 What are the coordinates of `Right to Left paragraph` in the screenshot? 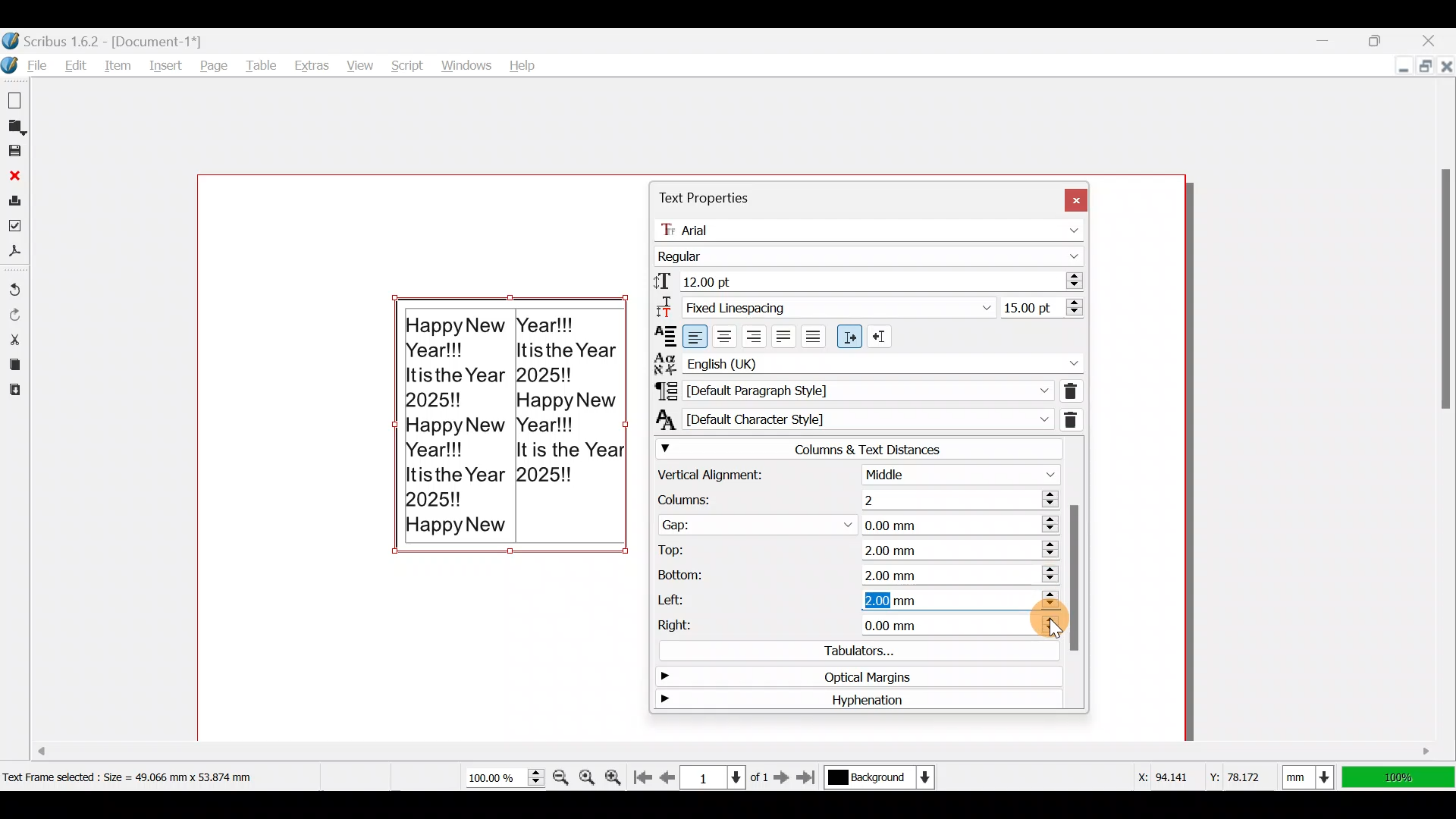 It's located at (883, 333).